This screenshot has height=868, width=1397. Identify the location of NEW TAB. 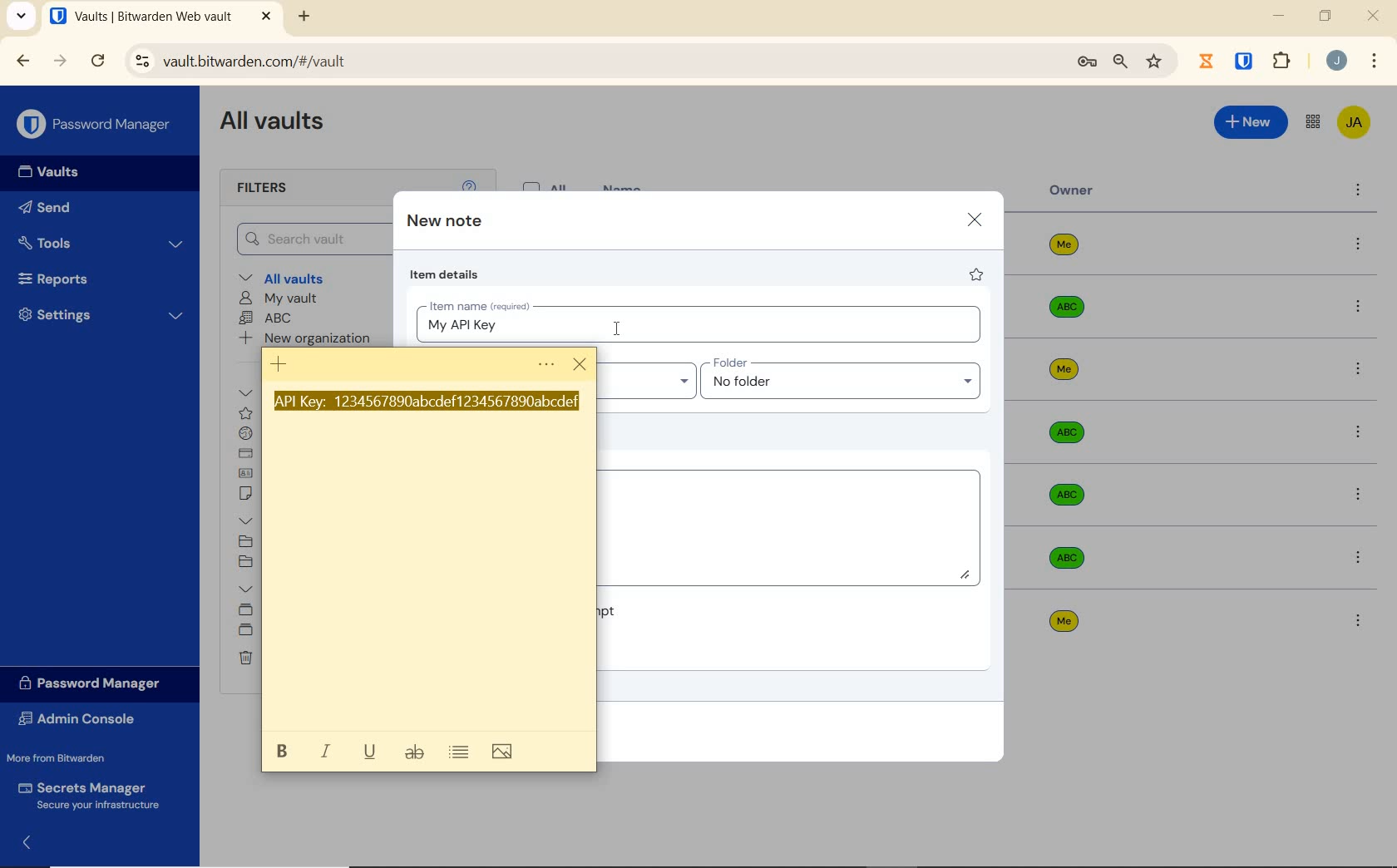
(306, 17).